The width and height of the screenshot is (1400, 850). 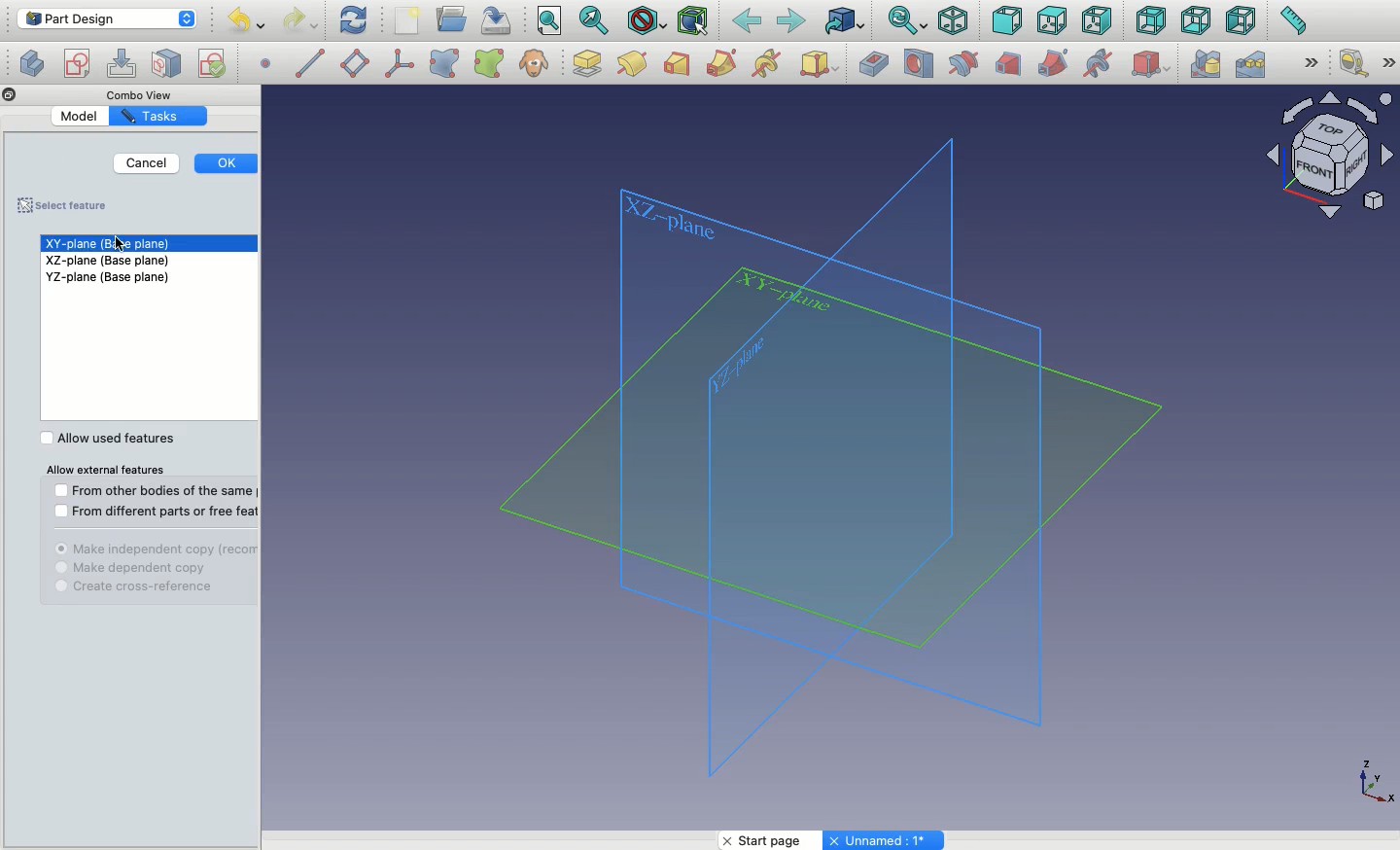 What do you see at coordinates (81, 117) in the screenshot?
I see `Model` at bounding box center [81, 117].